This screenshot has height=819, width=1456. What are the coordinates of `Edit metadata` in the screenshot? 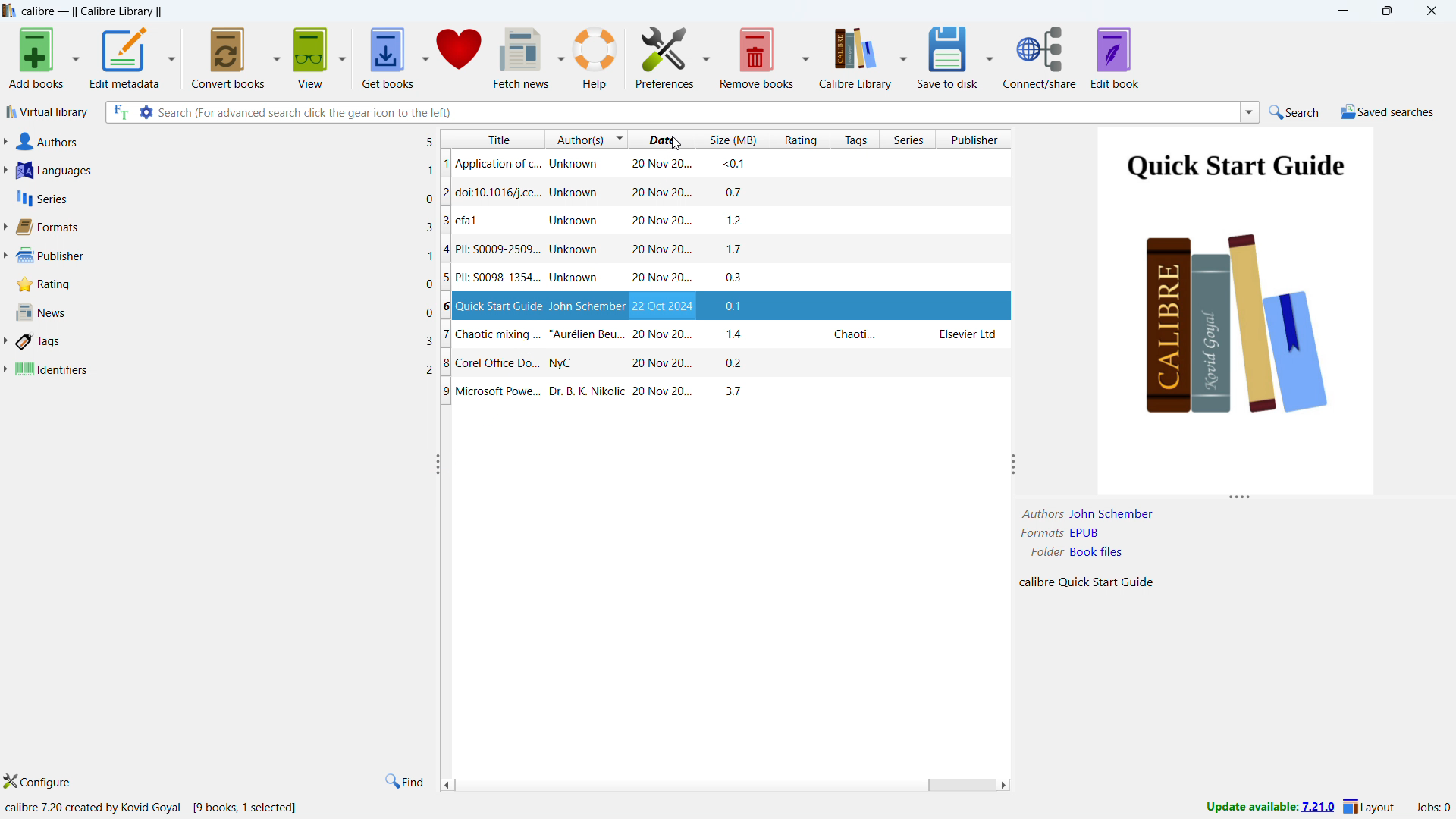 It's located at (125, 57).